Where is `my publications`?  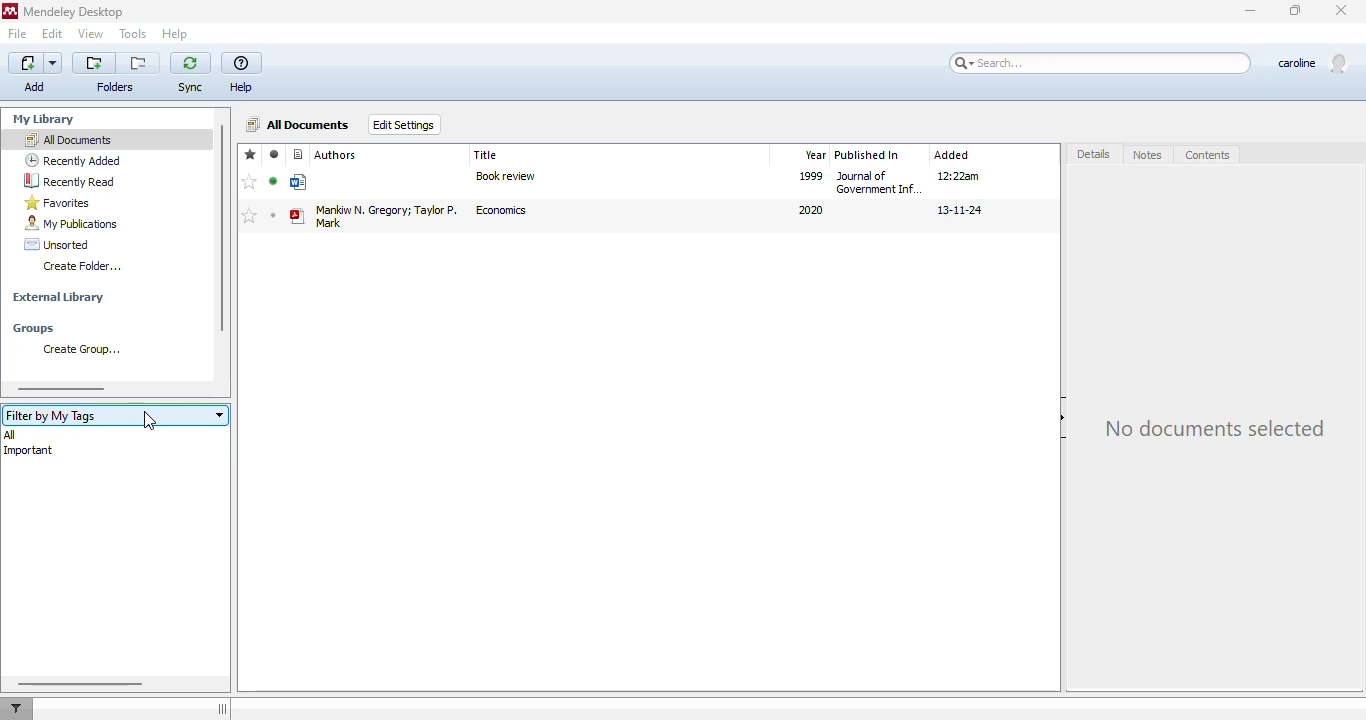
my publications is located at coordinates (71, 223).